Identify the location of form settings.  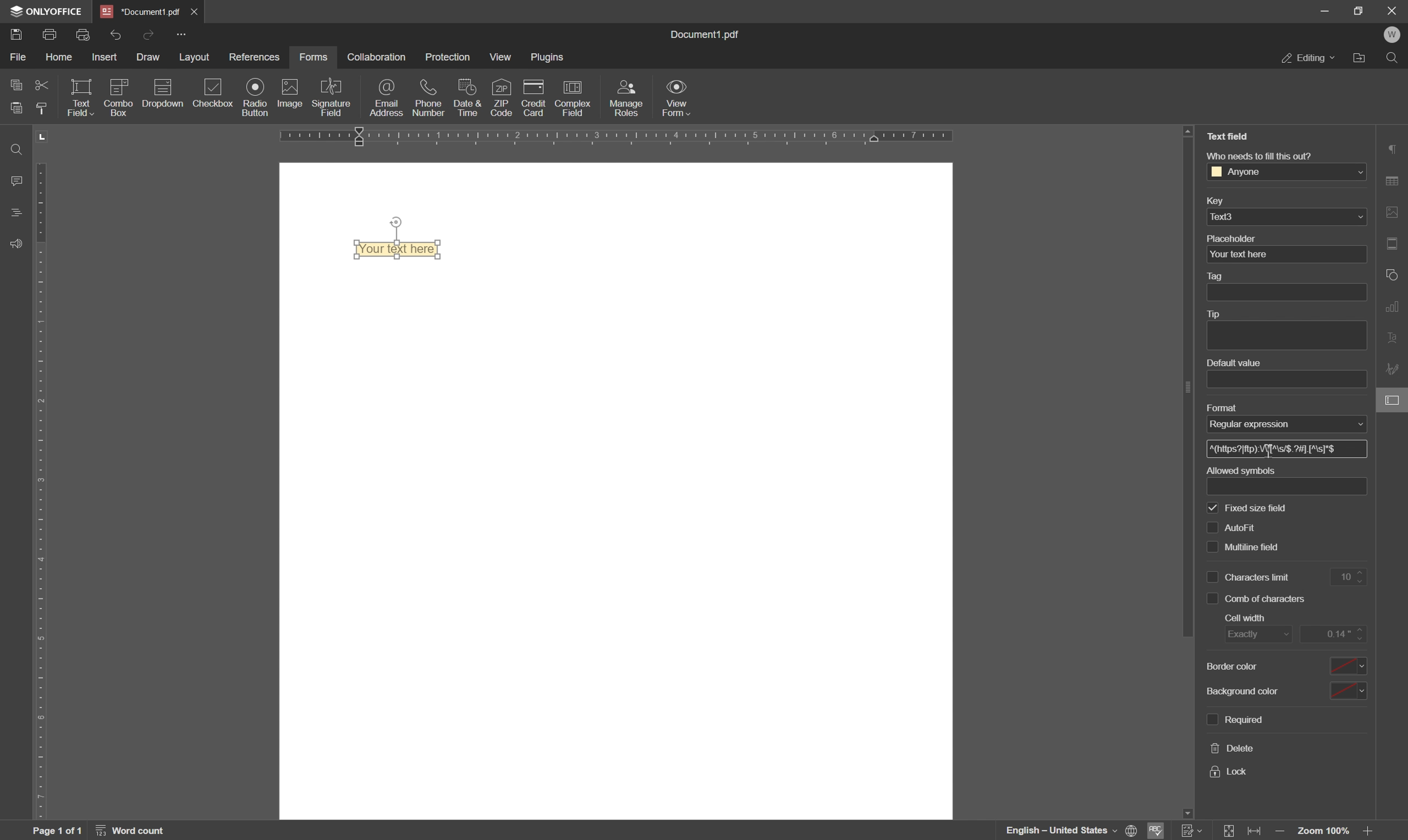
(1394, 402).